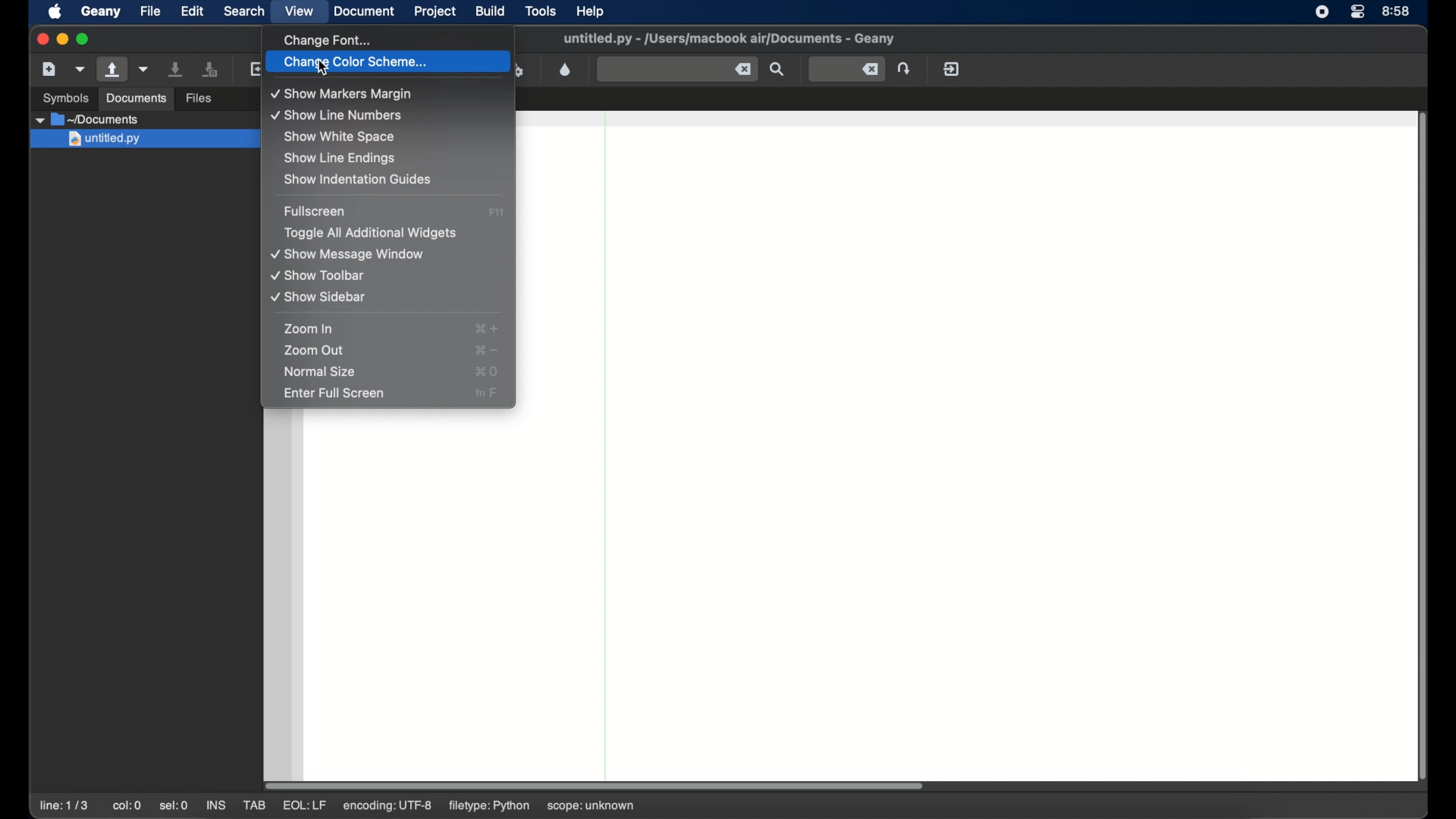 This screenshot has width=1456, height=819. I want to click on save all open files, so click(212, 70).